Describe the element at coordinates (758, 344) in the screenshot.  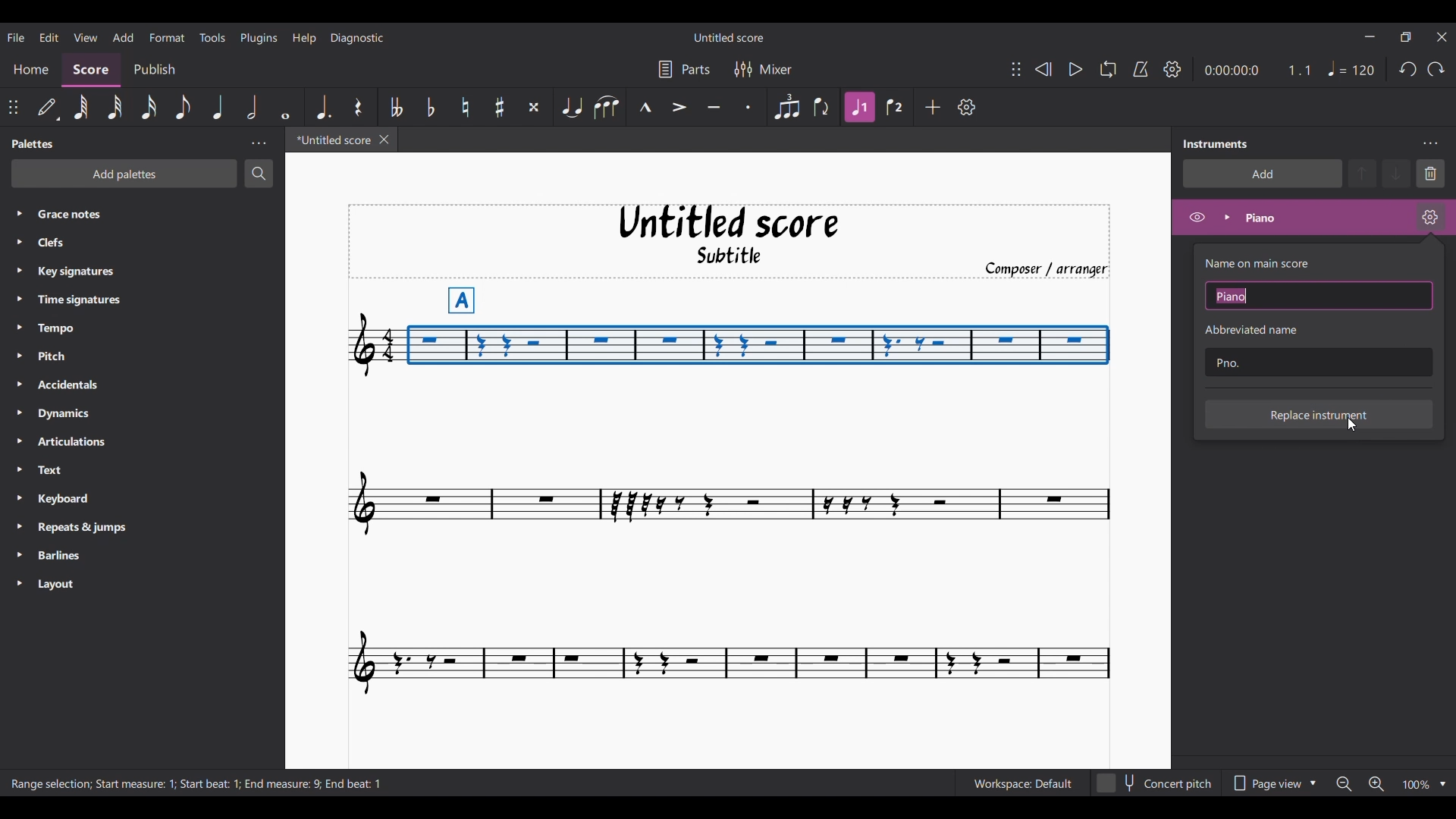
I see `Portion of composition selected` at that location.